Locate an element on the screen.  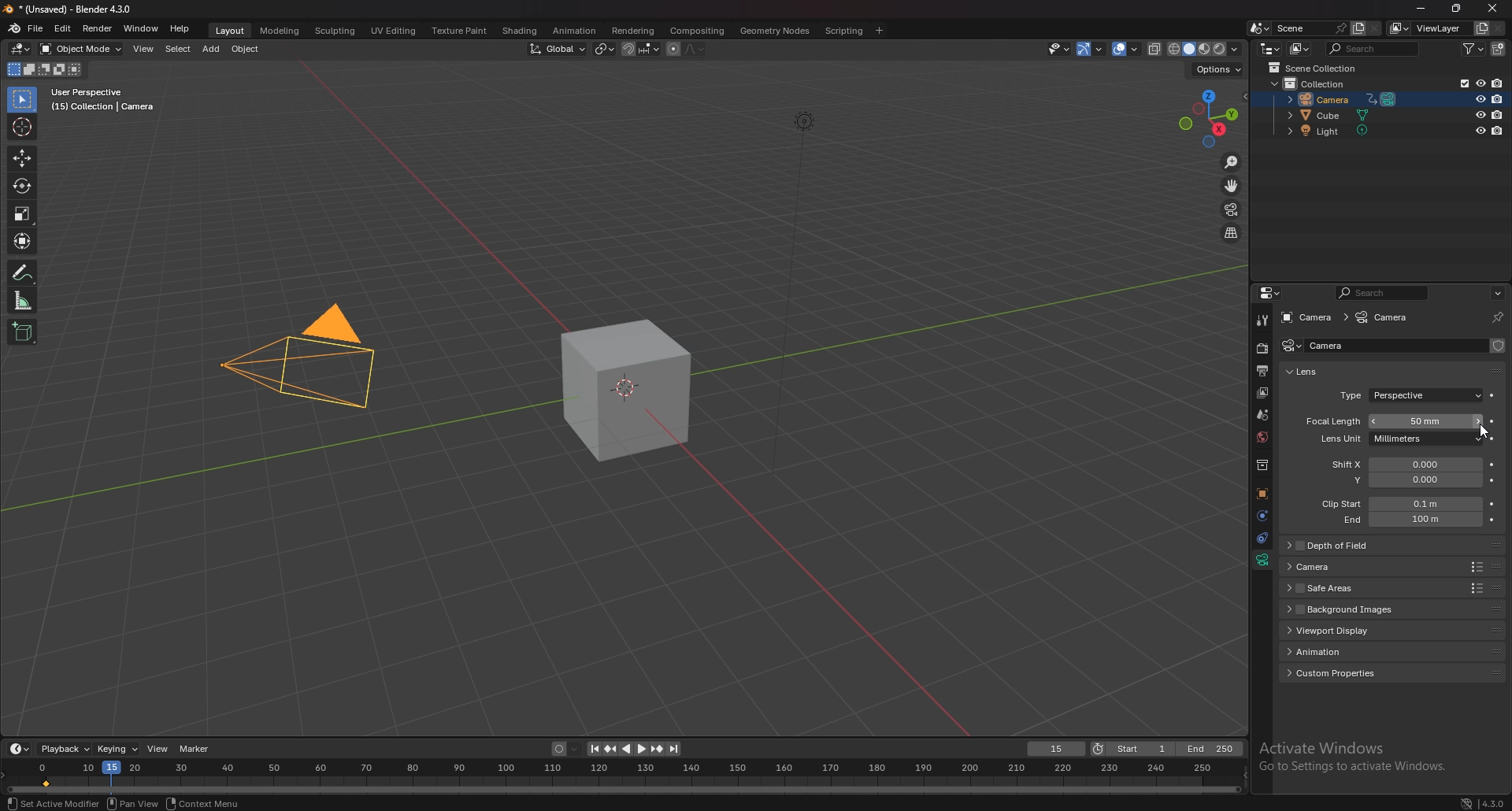
selector is located at coordinates (22, 100).